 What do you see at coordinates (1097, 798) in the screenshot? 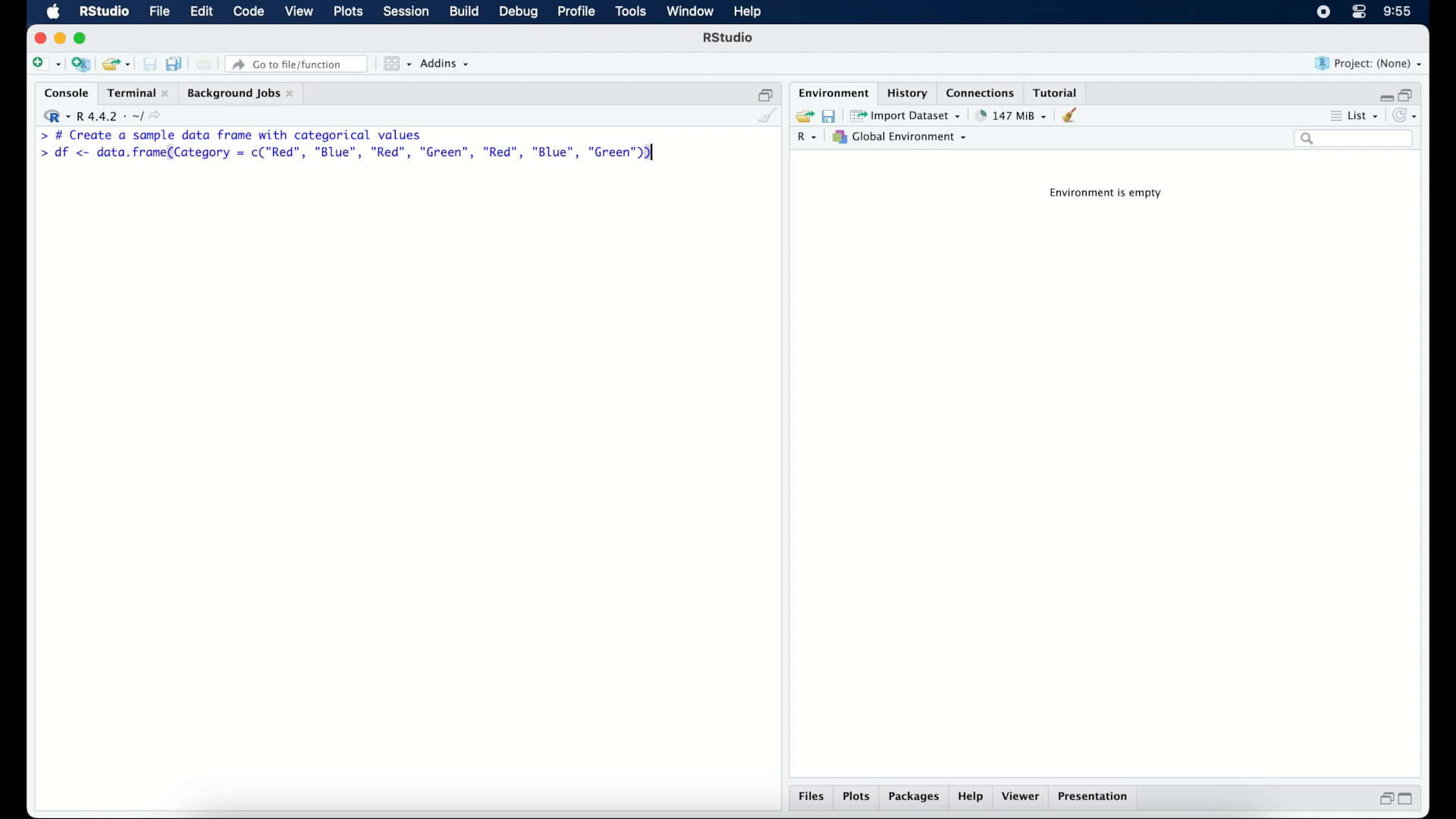
I see `presentation` at bounding box center [1097, 798].